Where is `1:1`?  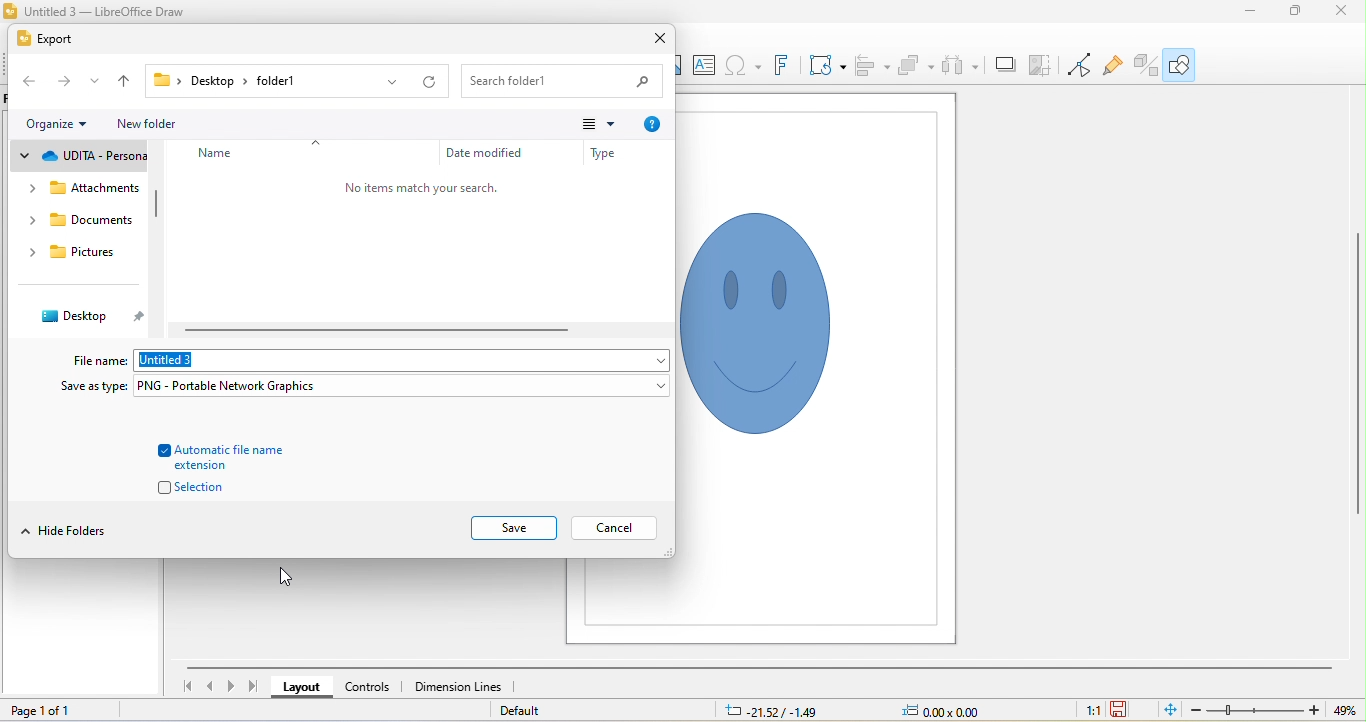
1:1 is located at coordinates (1092, 709).